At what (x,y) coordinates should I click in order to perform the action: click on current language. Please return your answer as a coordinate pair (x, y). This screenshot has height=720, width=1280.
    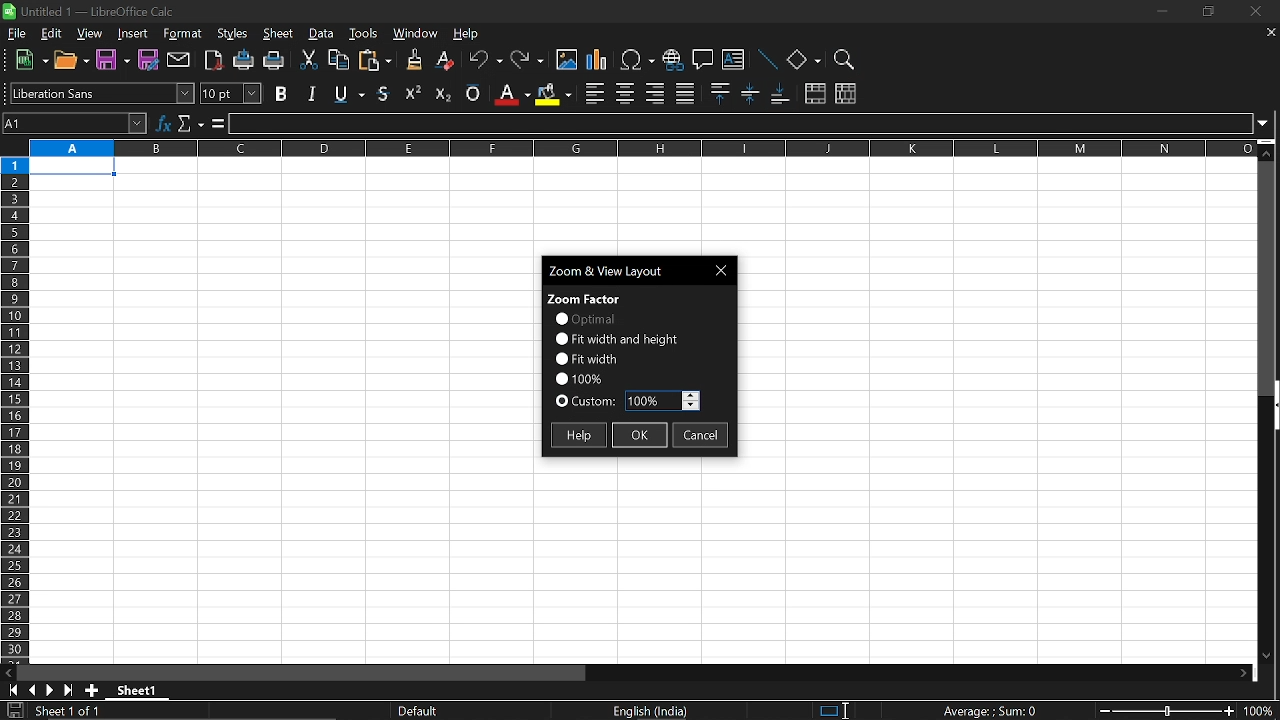
    Looking at the image, I should click on (652, 711).